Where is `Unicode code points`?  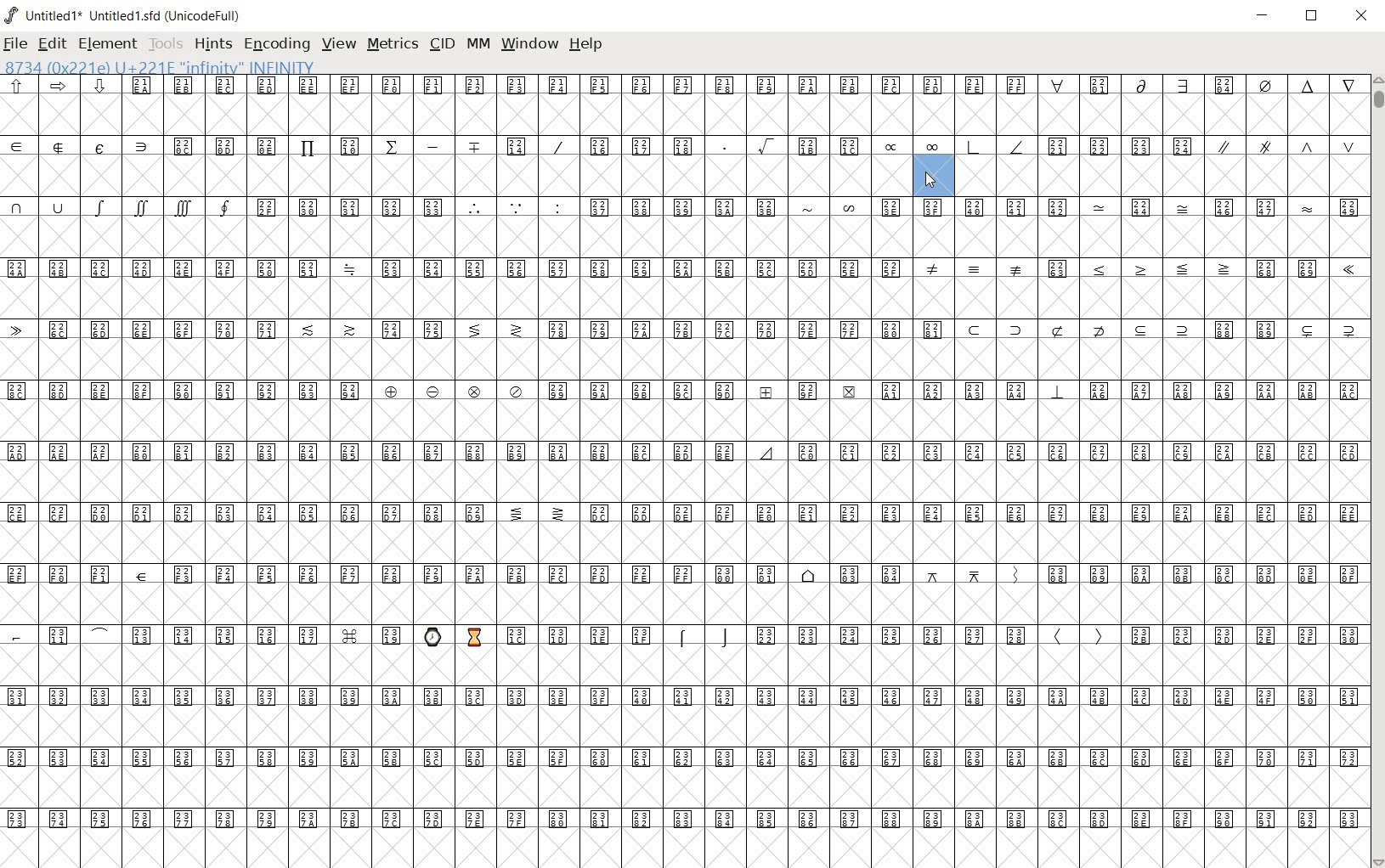
Unicode code points is located at coordinates (689, 759).